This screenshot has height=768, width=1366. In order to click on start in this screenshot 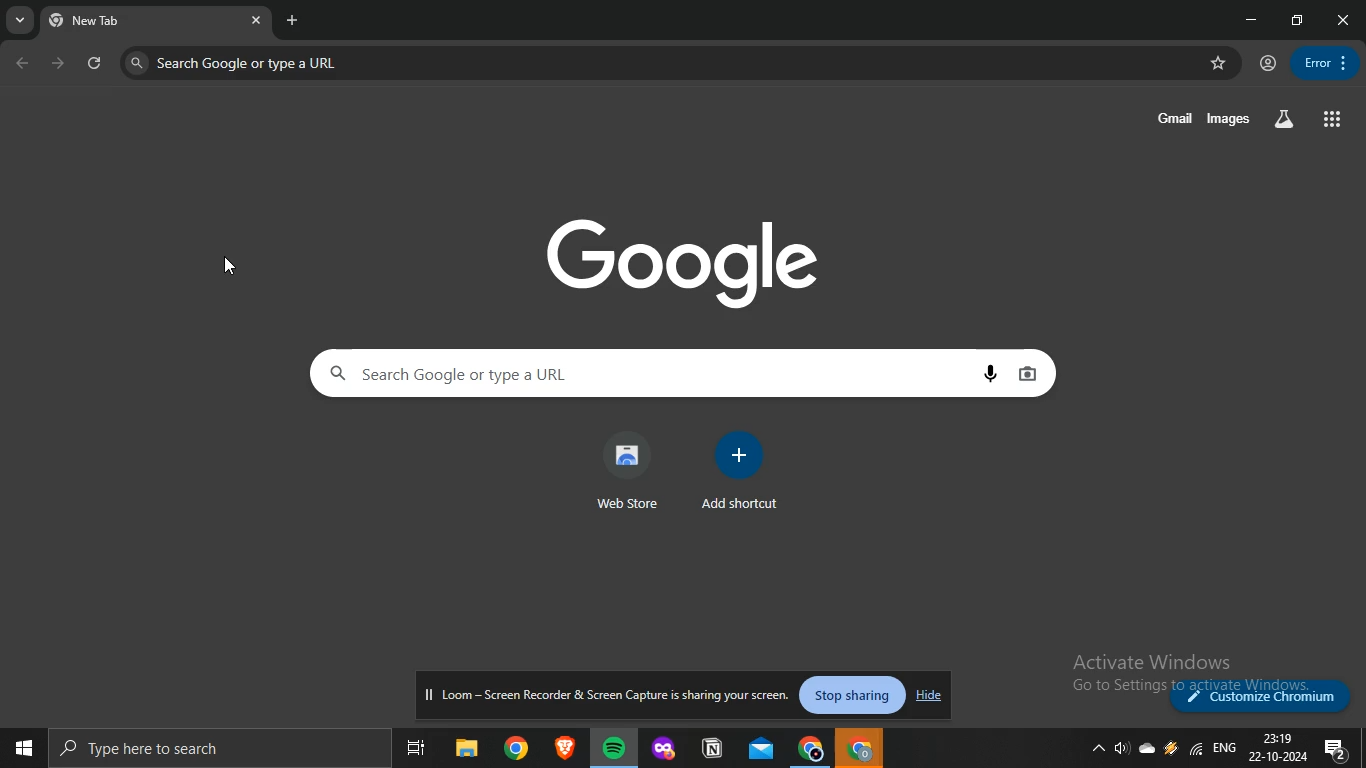, I will do `click(21, 745)`.